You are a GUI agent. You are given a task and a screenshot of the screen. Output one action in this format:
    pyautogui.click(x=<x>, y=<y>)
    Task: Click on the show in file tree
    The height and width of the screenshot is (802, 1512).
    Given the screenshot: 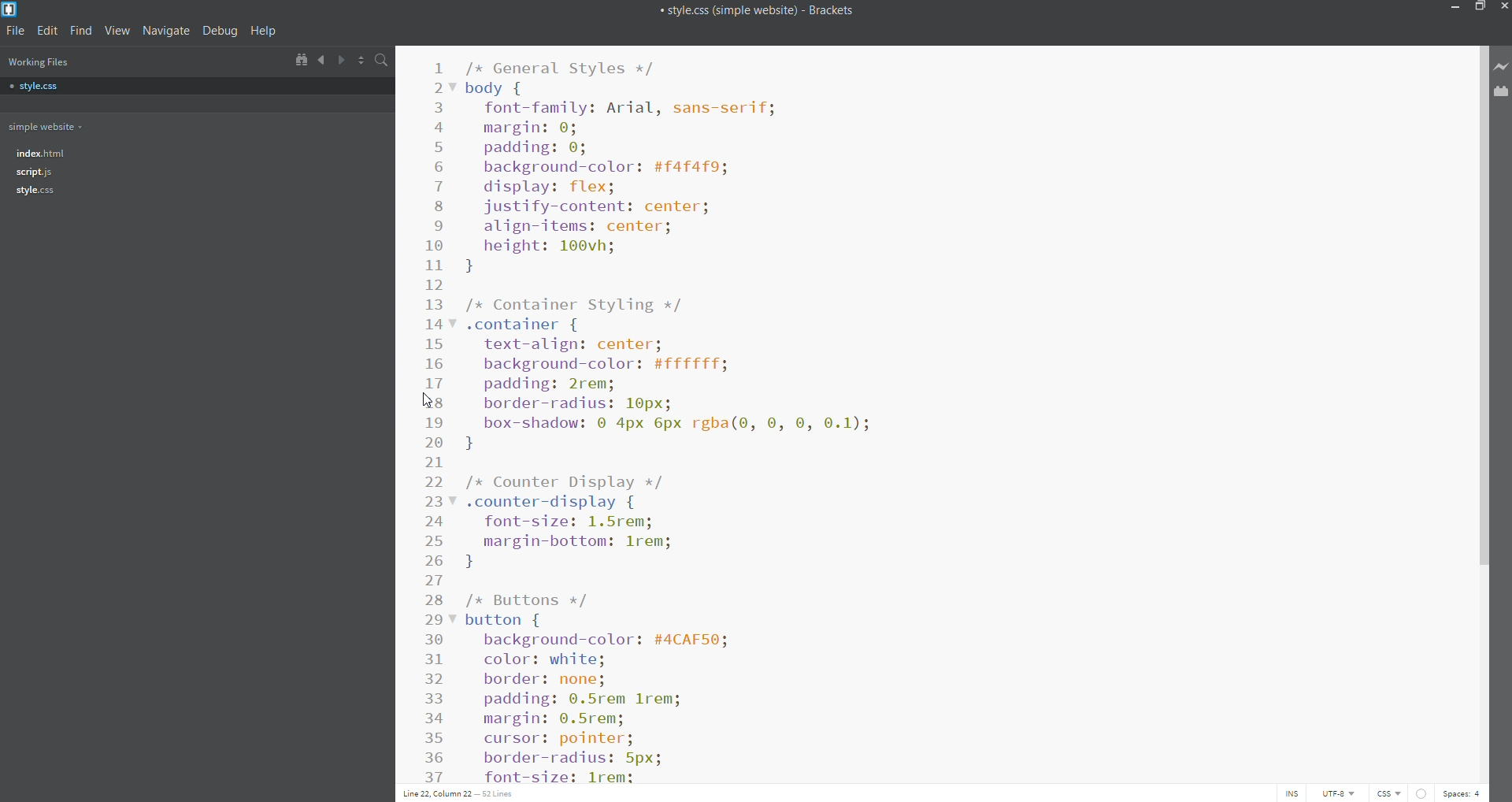 What is the action you would take?
    pyautogui.click(x=299, y=61)
    